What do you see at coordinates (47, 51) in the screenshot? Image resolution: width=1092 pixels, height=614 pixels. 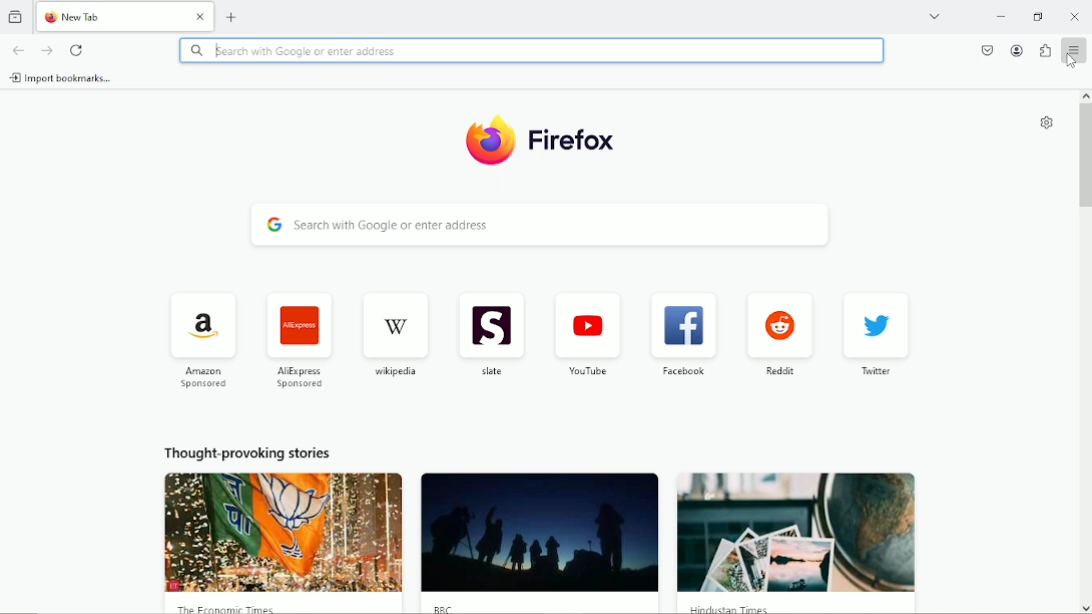 I see `go forward` at bounding box center [47, 51].